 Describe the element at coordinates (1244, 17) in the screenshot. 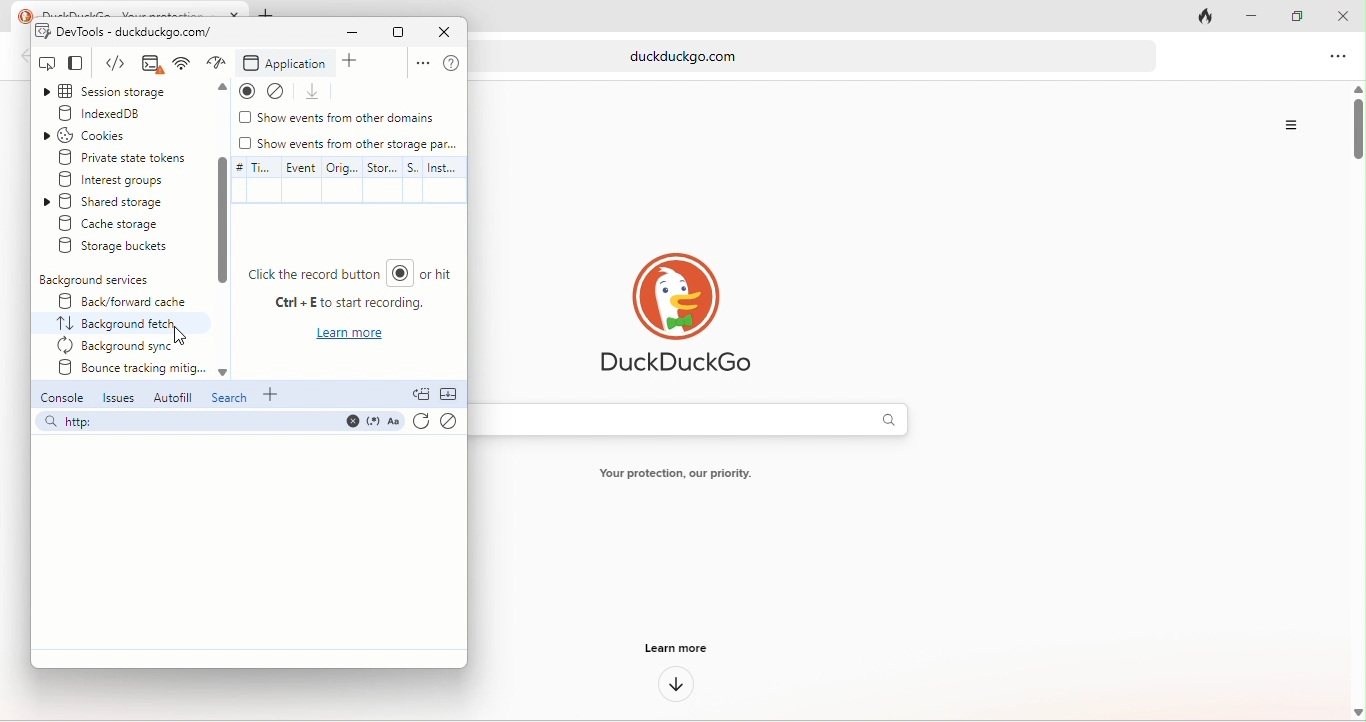

I see `minimize` at that location.